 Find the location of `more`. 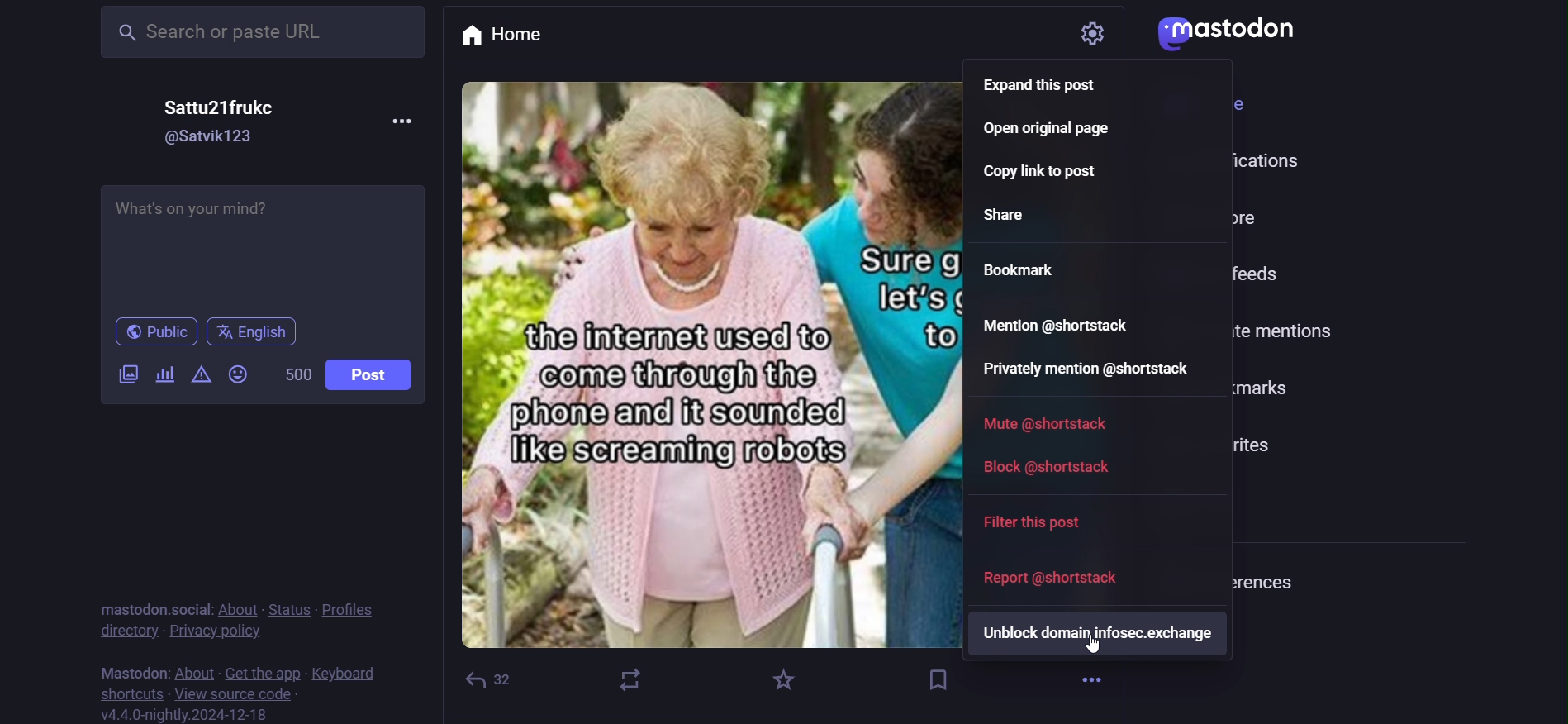

more is located at coordinates (1084, 675).